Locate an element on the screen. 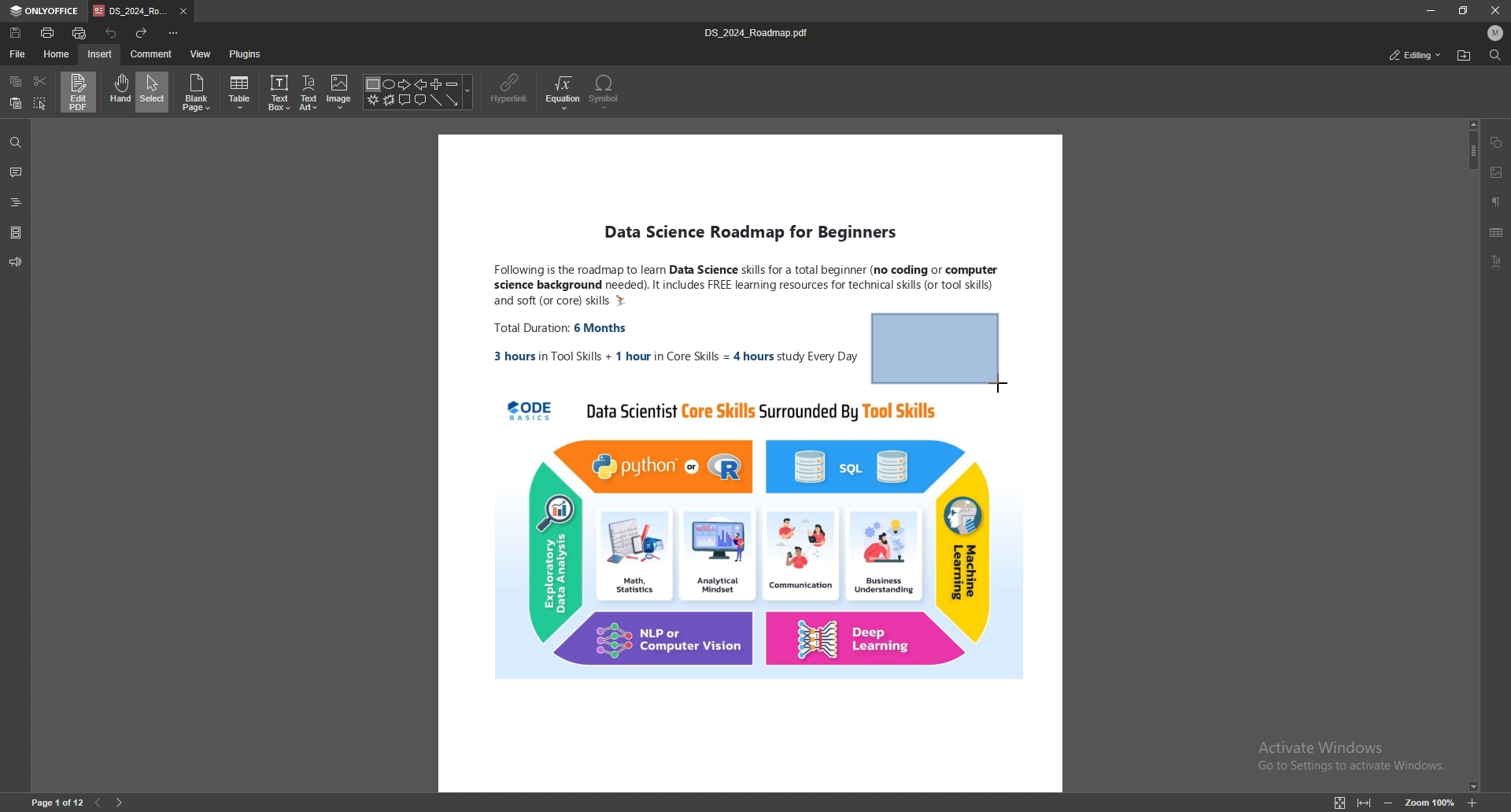 Image resolution: width=1511 pixels, height=812 pixels. close tab is located at coordinates (184, 12).